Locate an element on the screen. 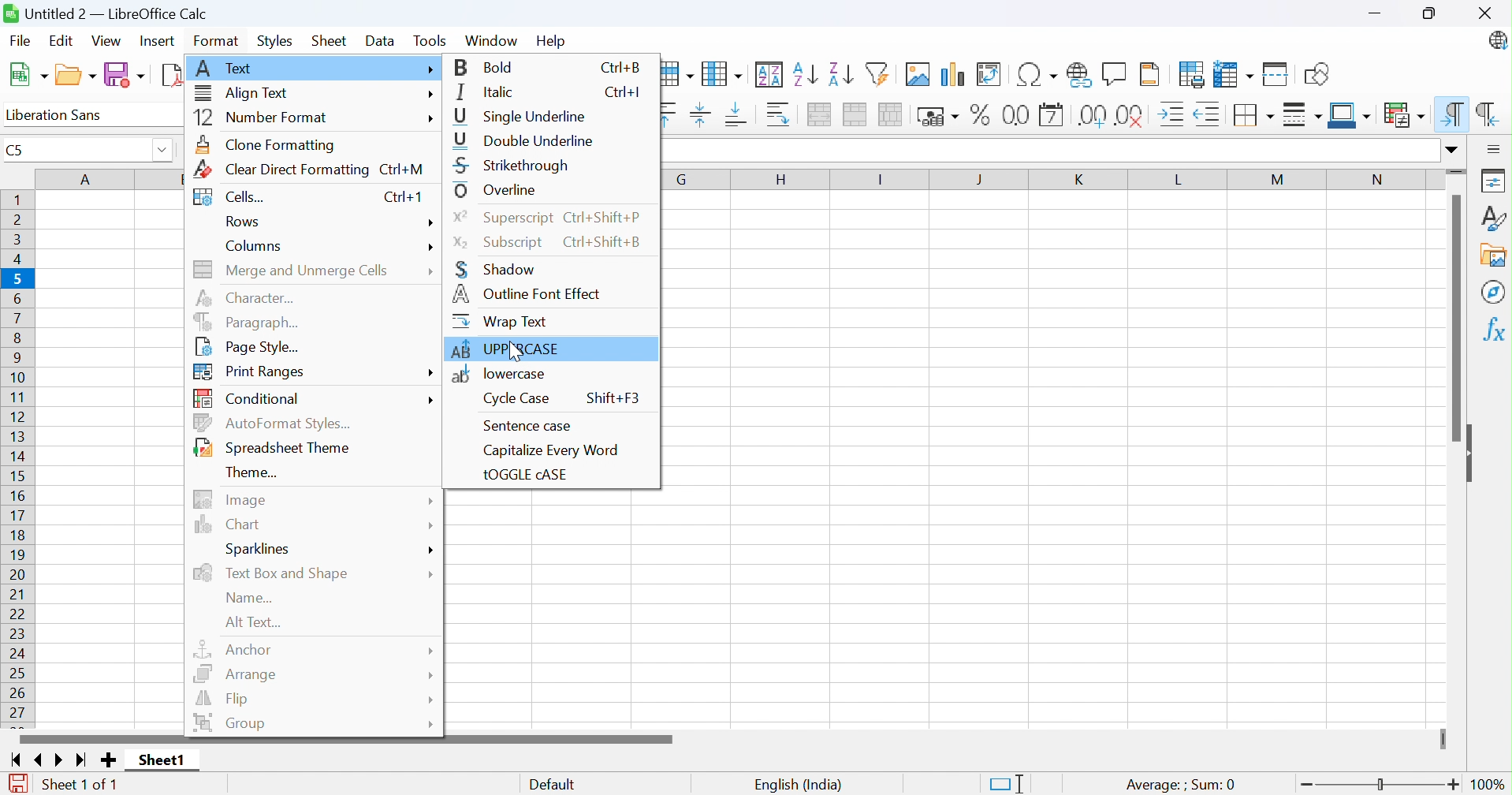 The width and height of the screenshot is (1512, 795). Sentense case is located at coordinates (526, 424).